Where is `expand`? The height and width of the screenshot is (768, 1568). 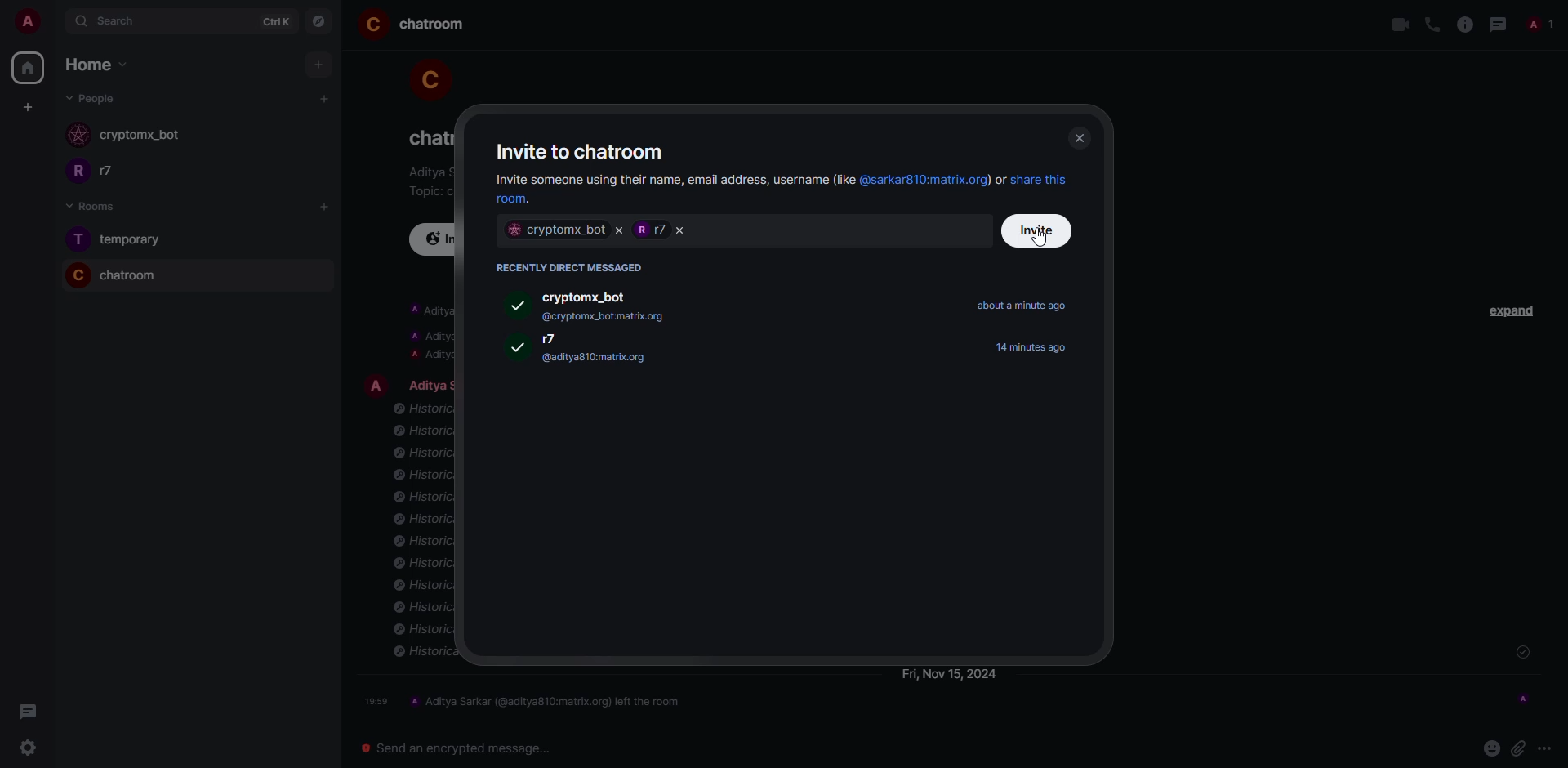
expand is located at coordinates (1514, 309).